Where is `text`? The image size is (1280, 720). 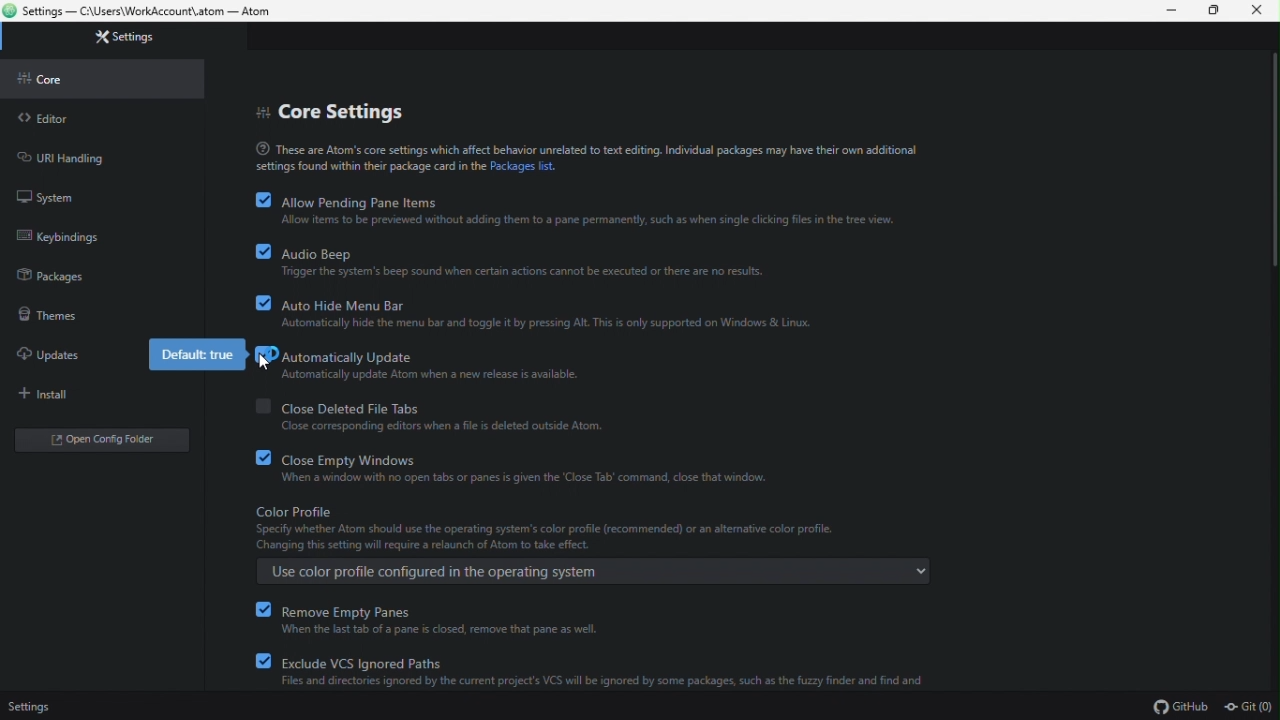
text is located at coordinates (588, 158).